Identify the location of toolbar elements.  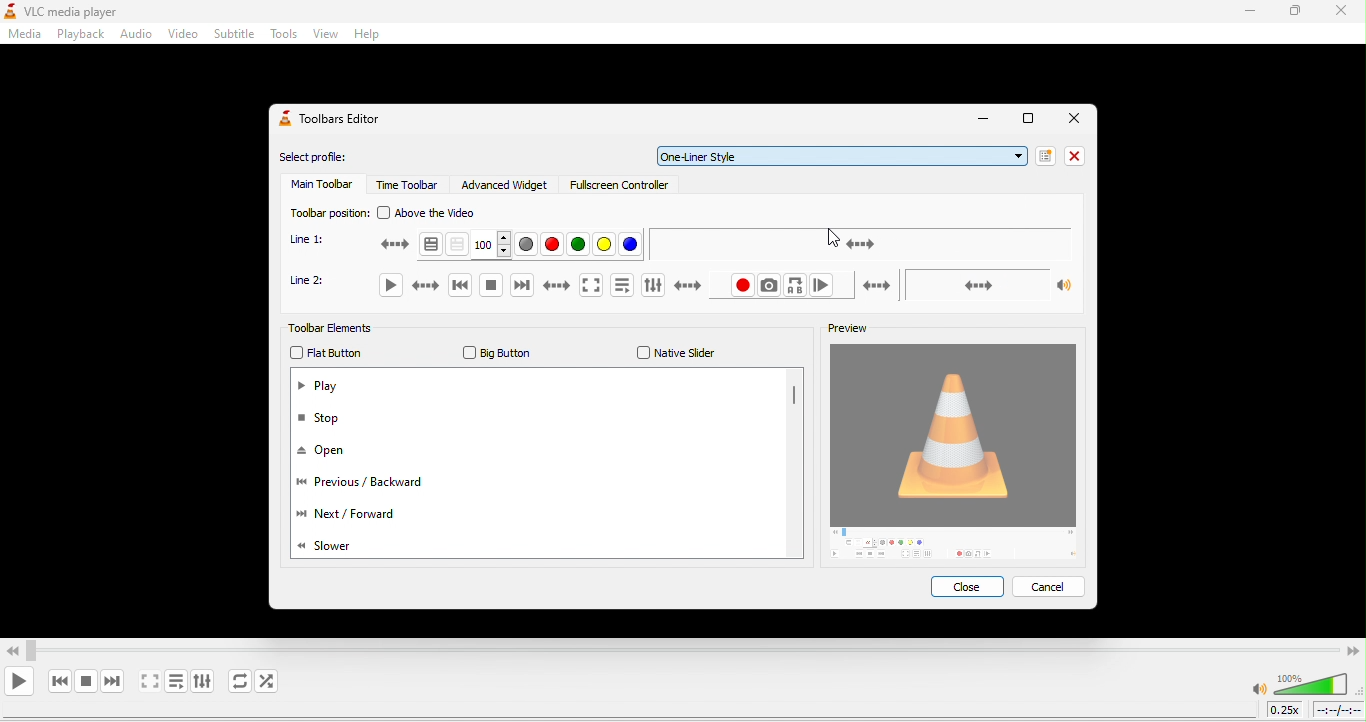
(337, 328).